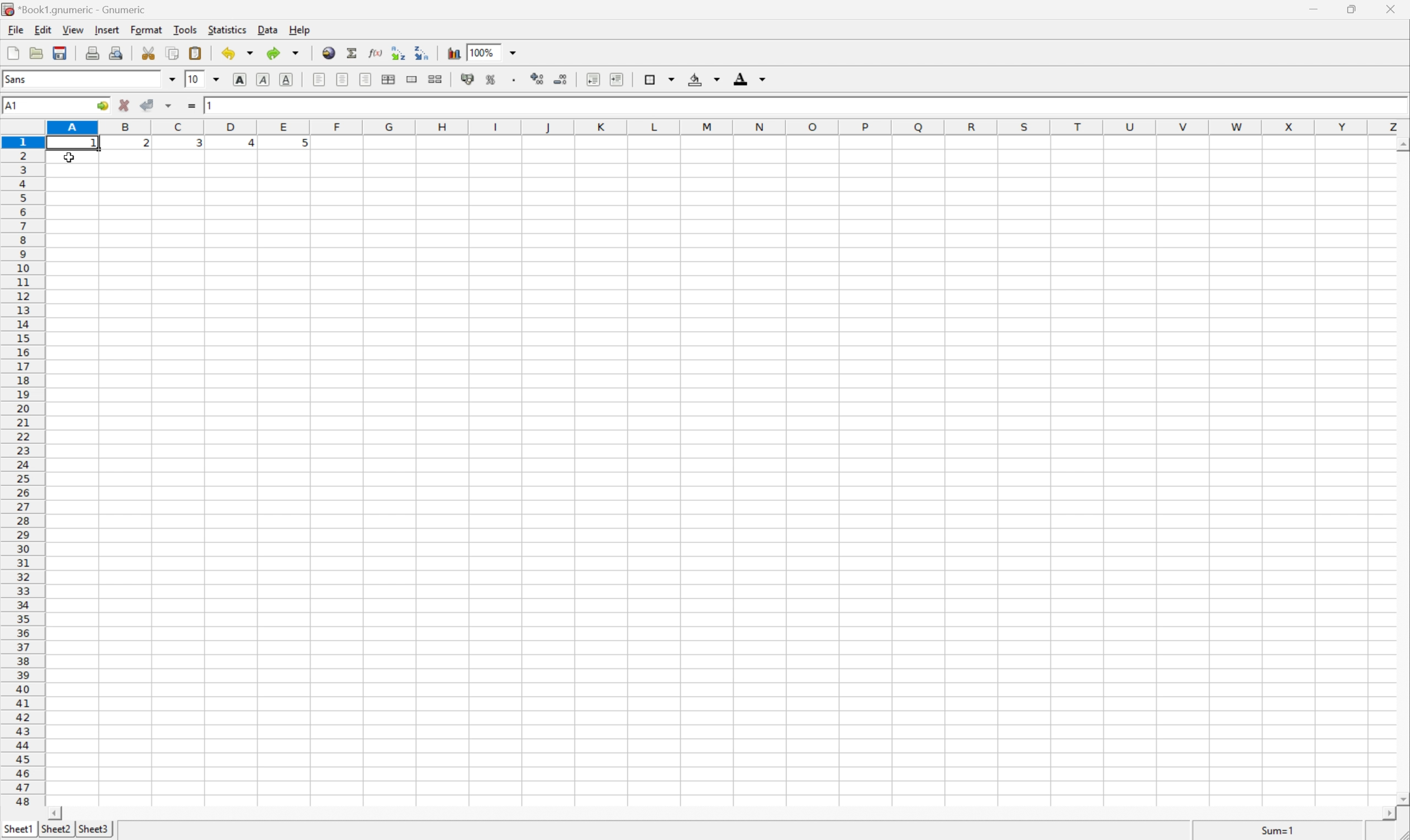  I want to click on insert chart, so click(454, 53).